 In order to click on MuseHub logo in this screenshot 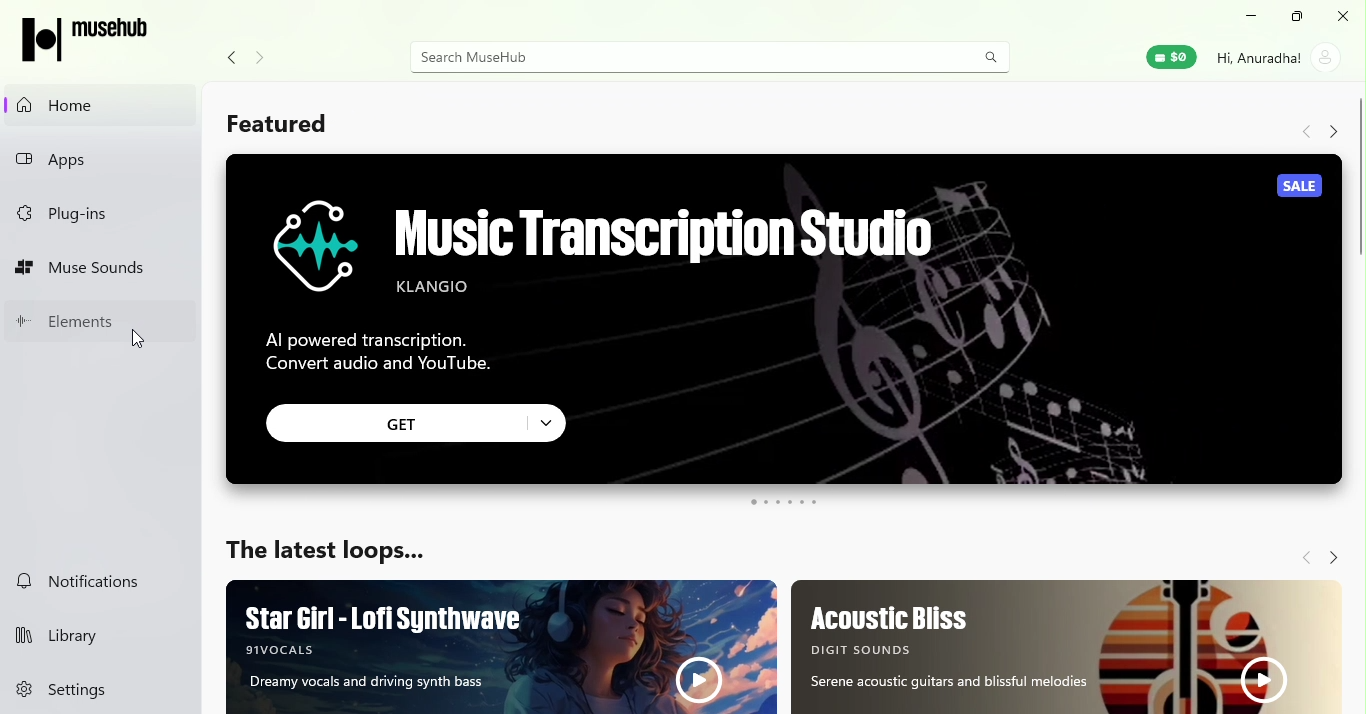, I will do `click(90, 38)`.